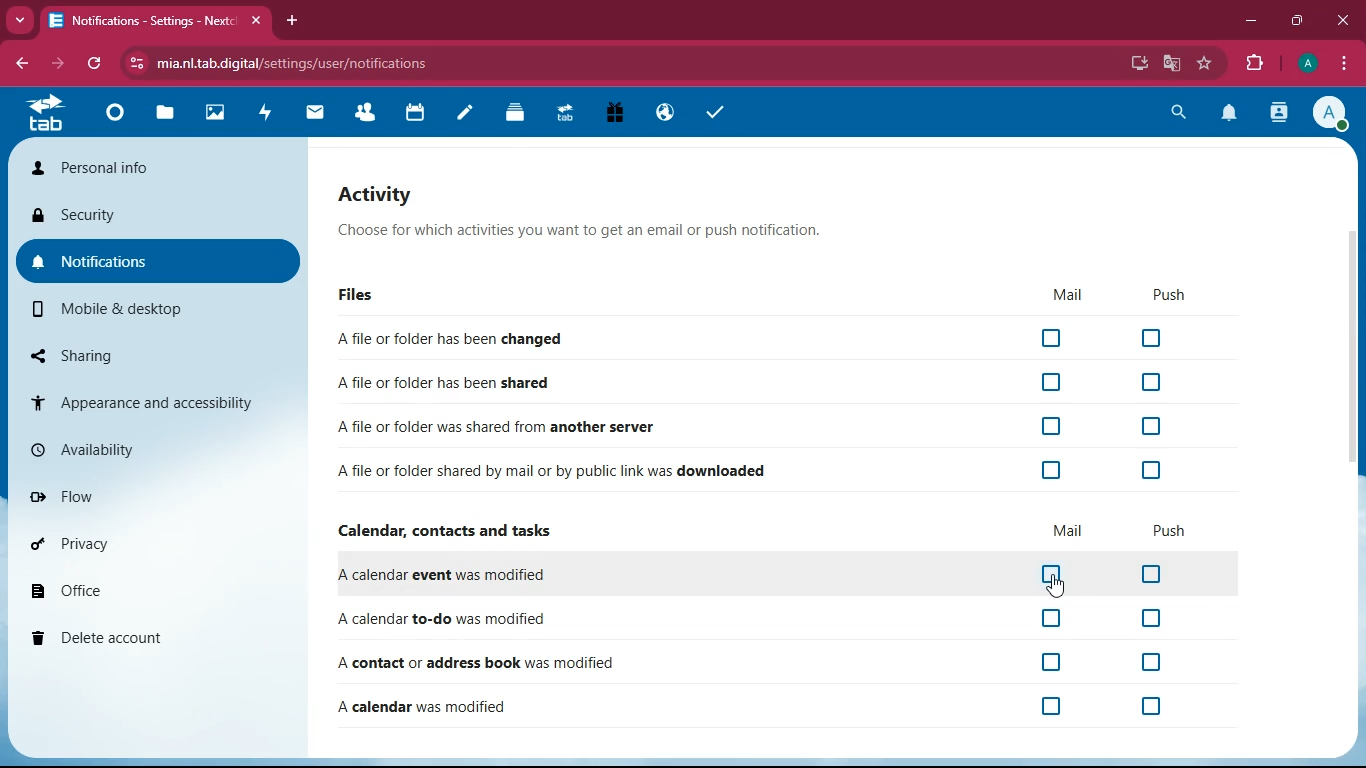  What do you see at coordinates (1356, 343) in the screenshot?
I see `scroll bar` at bounding box center [1356, 343].